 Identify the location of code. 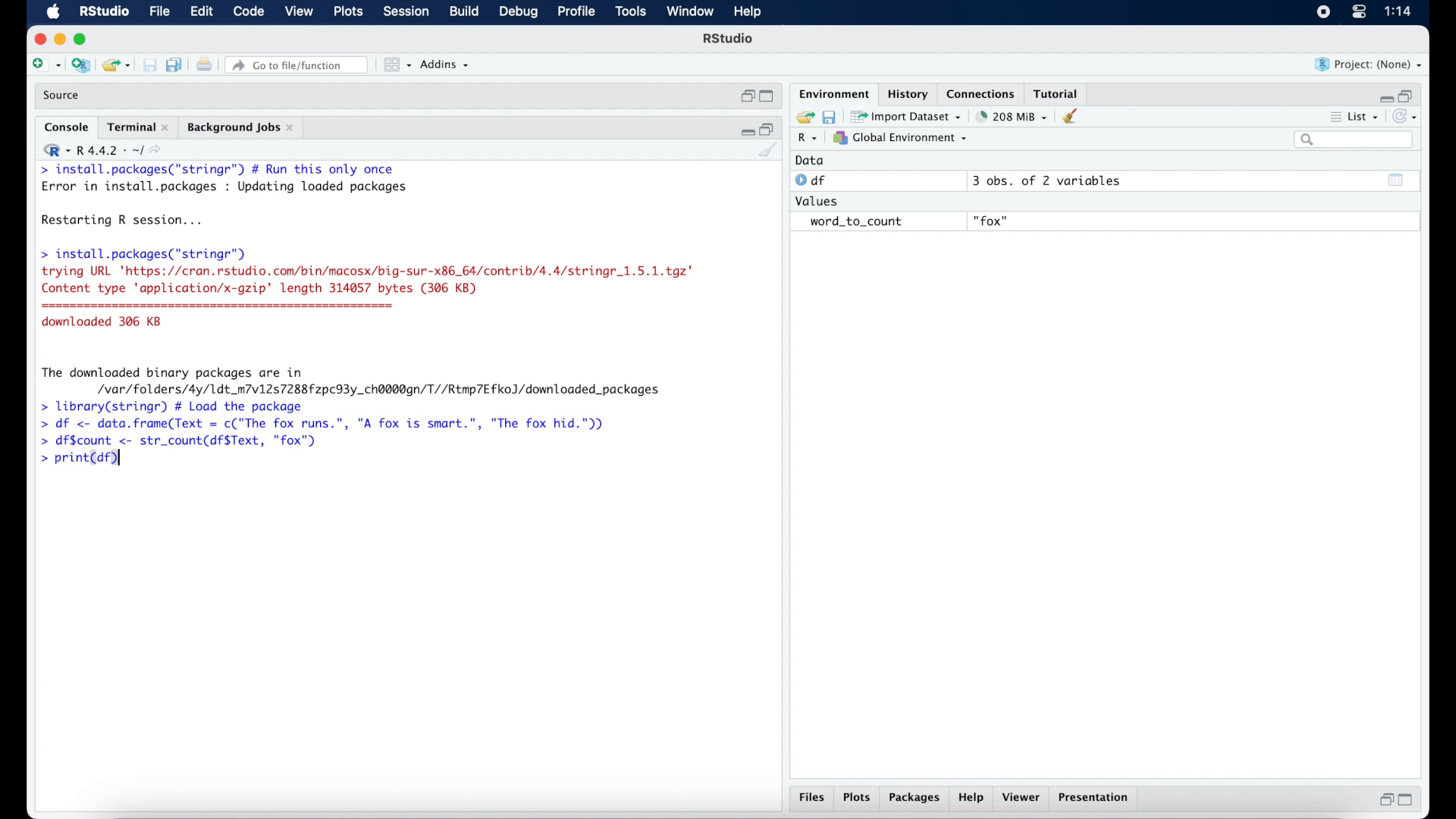
(249, 12).